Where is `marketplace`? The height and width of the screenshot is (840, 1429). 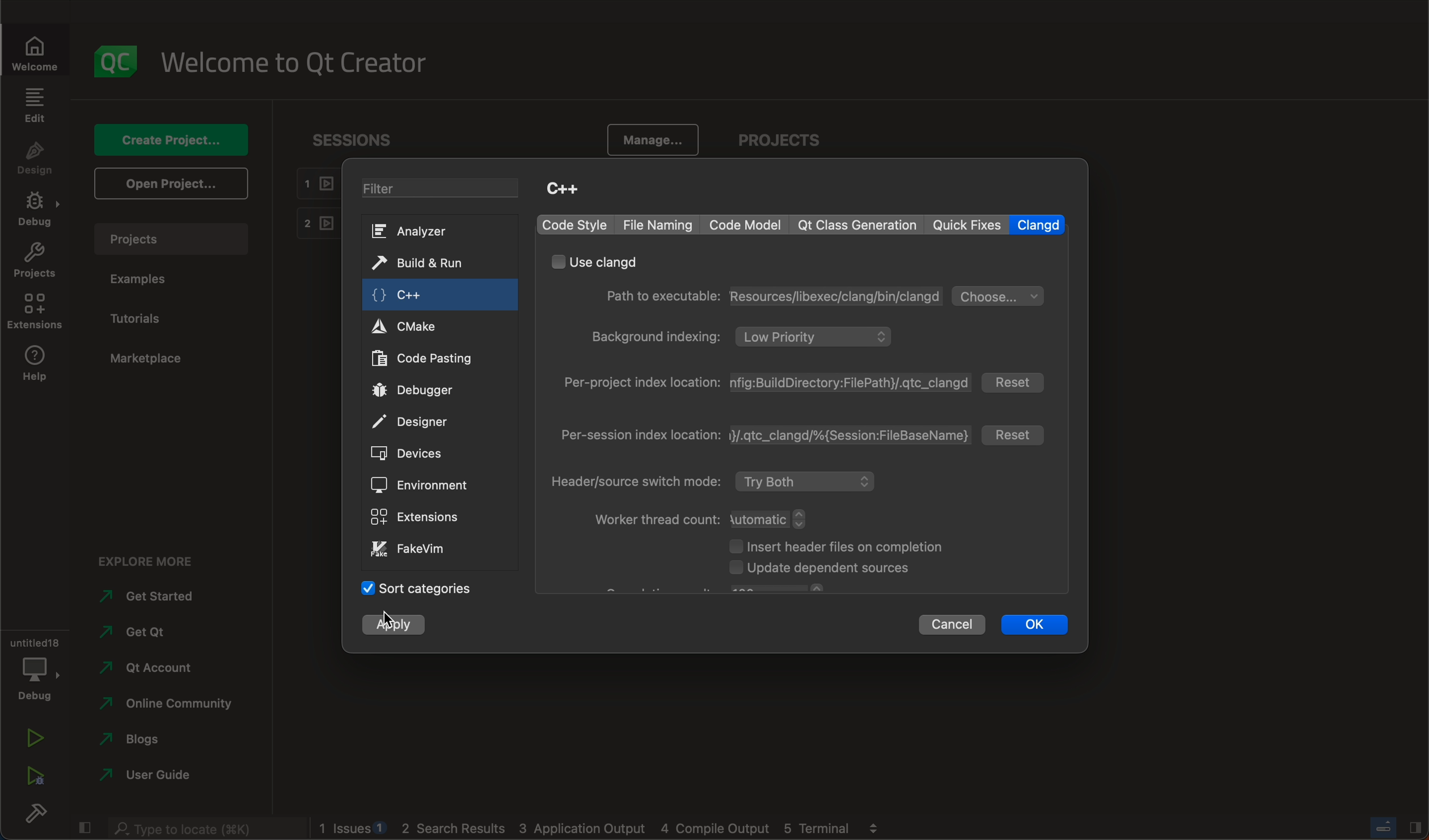
marketplace is located at coordinates (151, 357).